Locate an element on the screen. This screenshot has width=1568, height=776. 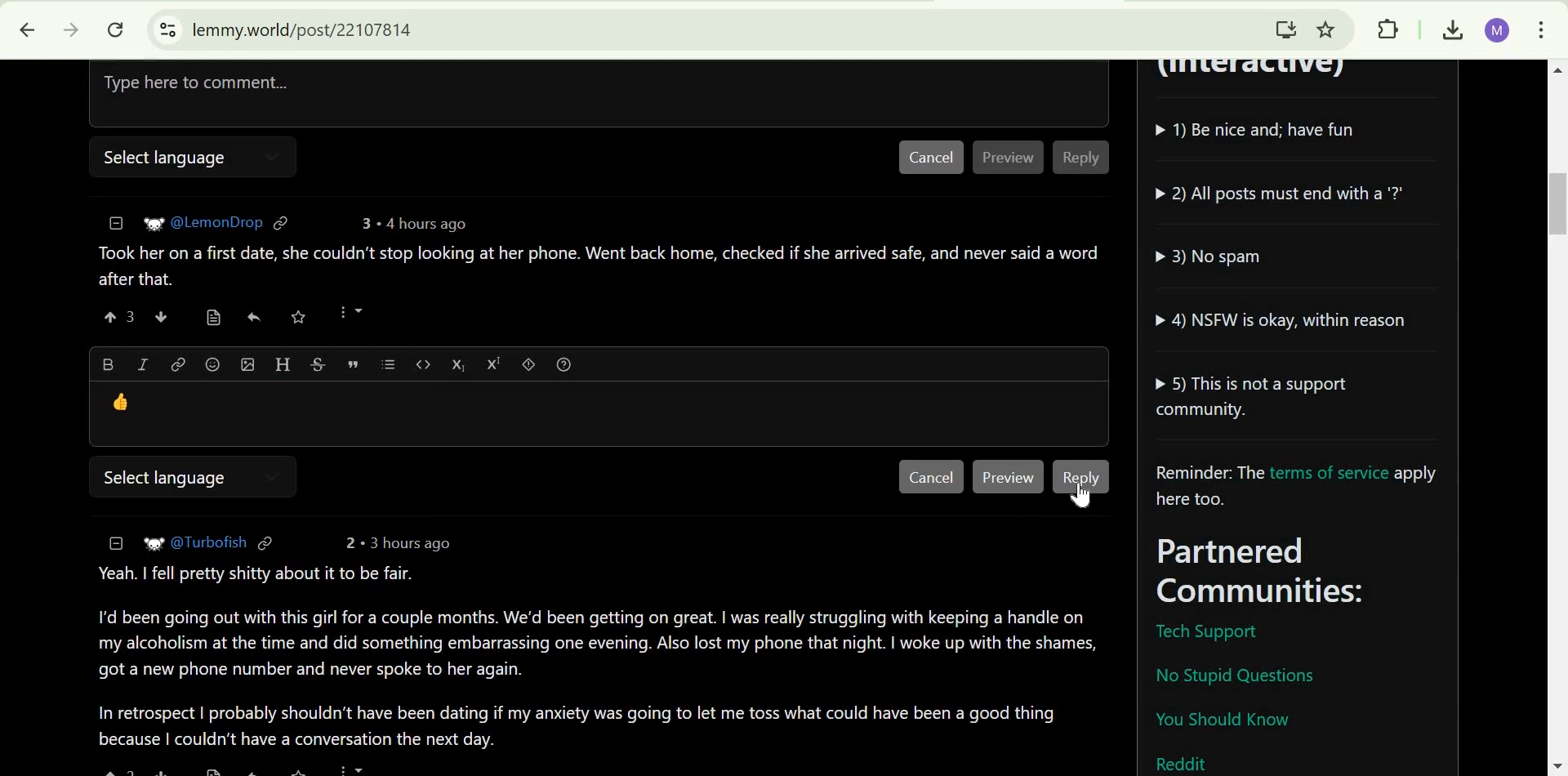
Reload this page is located at coordinates (117, 29).